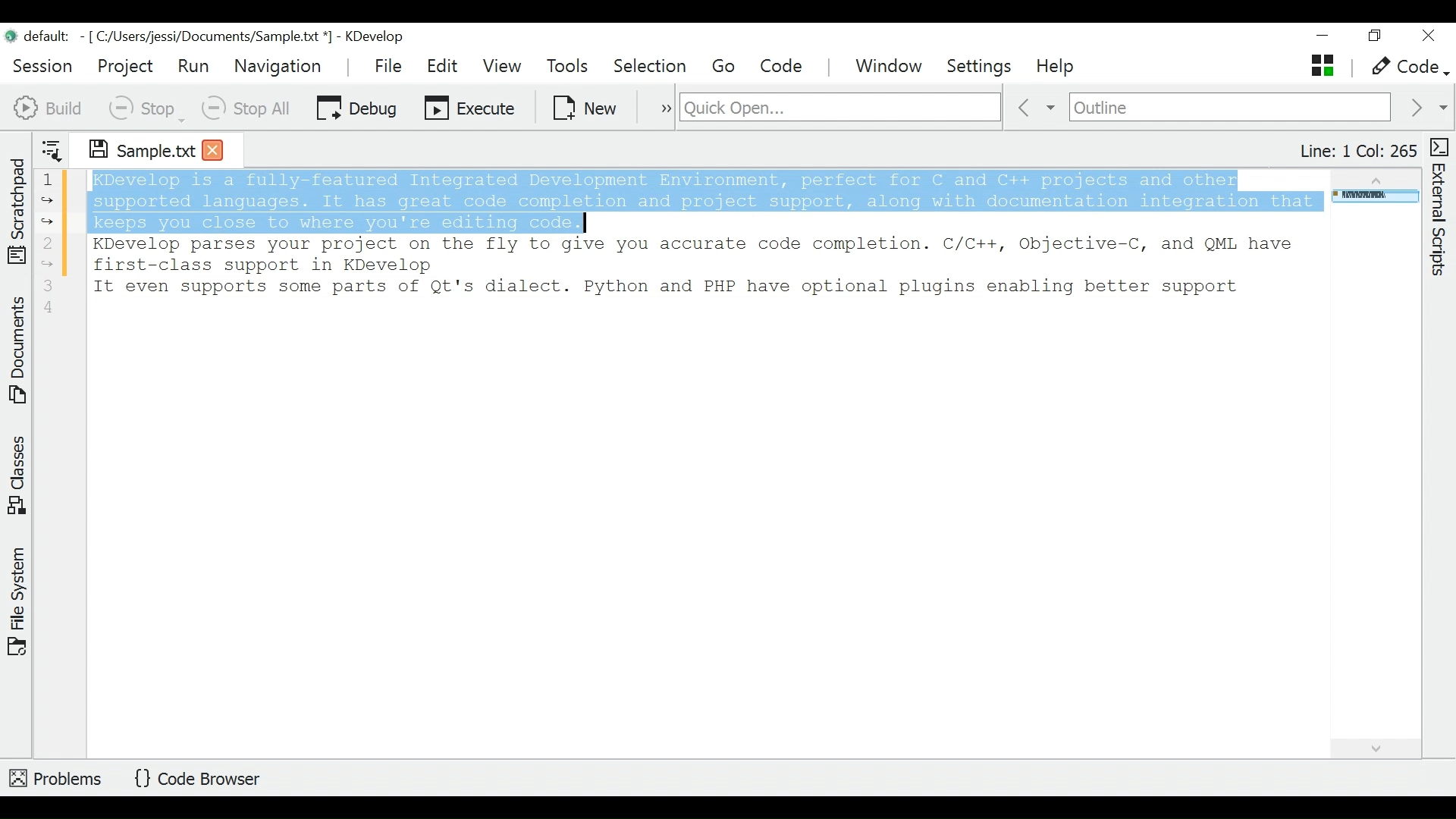  I want to click on 1 KDevelop is a fully-featured Integrated Development Environment, perfect for C and C++ projects and other supported languages. It has great code completion and project support, along with documentation integration that keeps you close to where you're editing code., so click(679, 200).